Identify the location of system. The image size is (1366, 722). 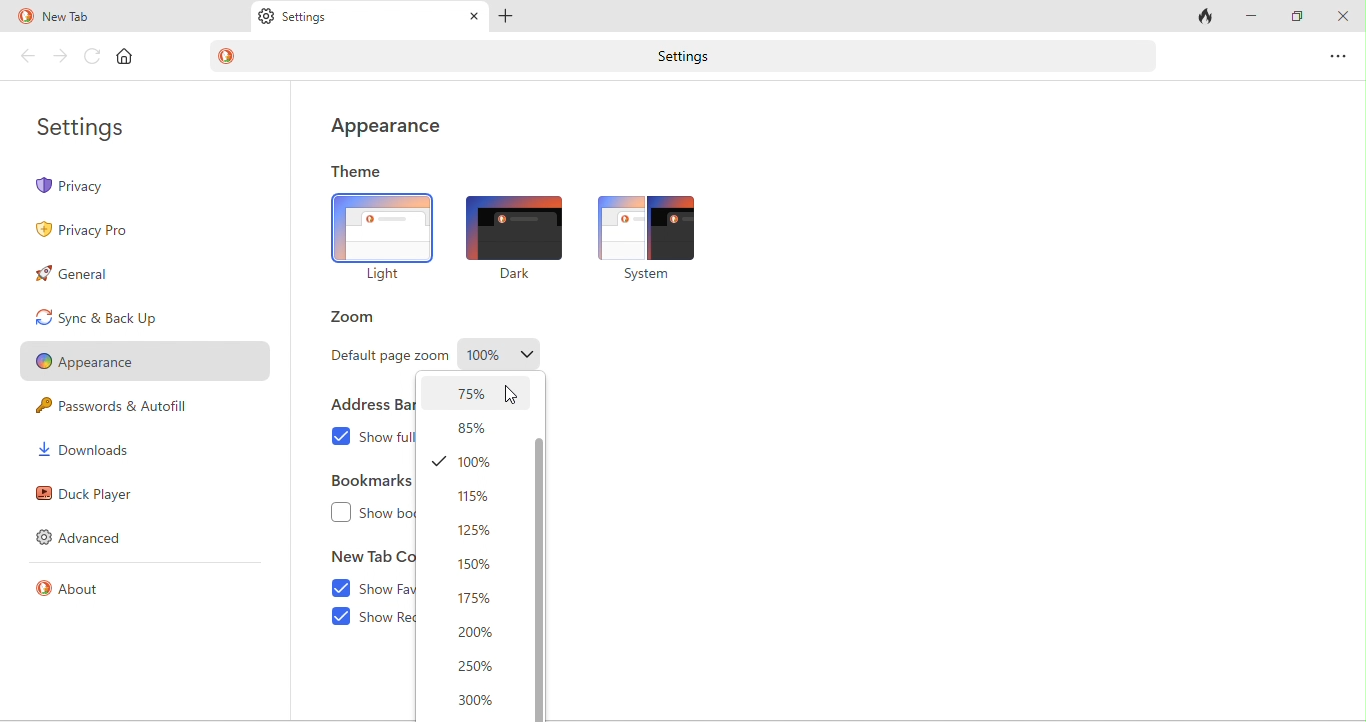
(649, 274).